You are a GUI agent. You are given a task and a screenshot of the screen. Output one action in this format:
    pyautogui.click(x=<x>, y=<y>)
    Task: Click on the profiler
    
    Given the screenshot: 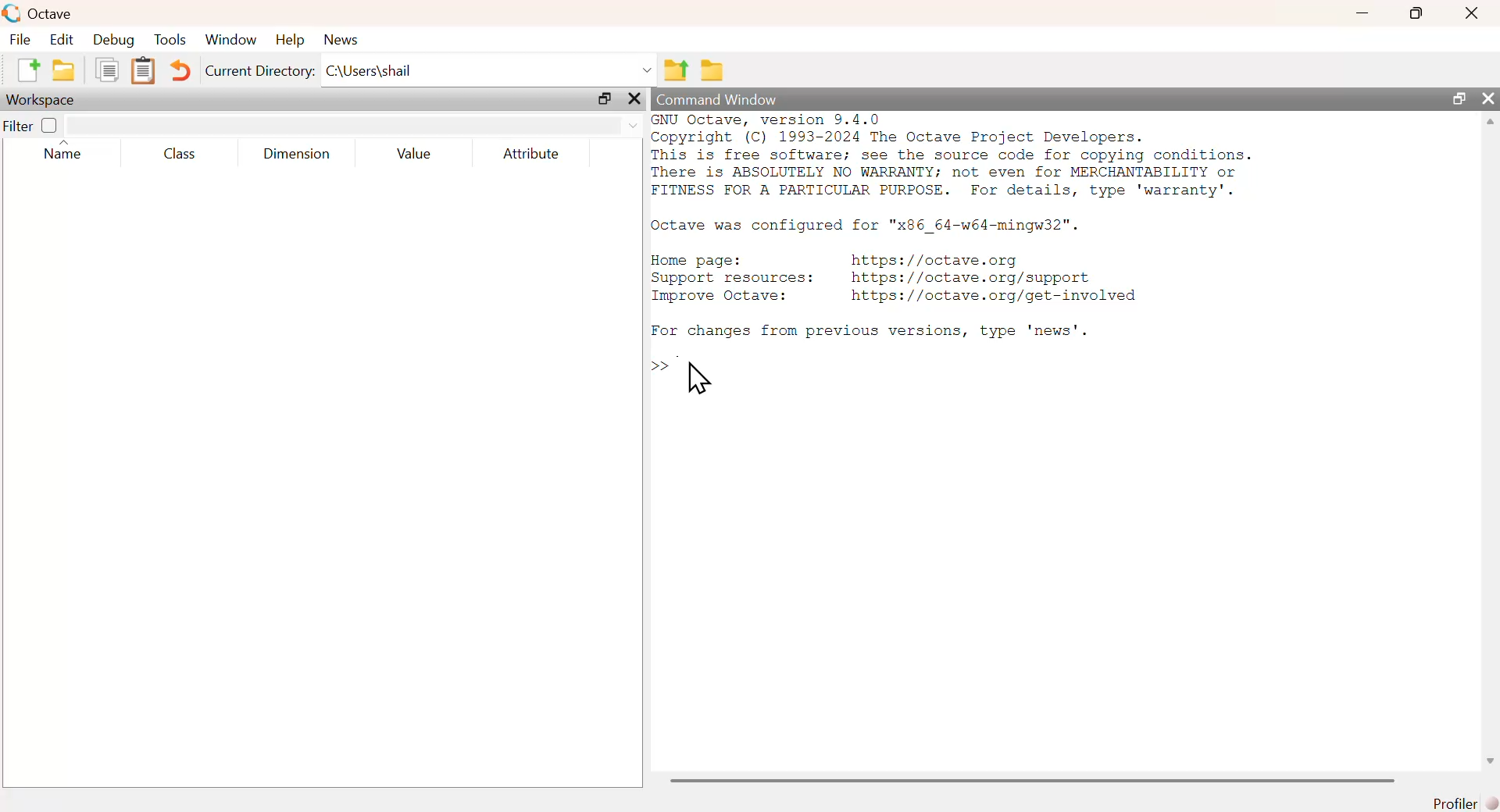 What is the action you would take?
    pyautogui.click(x=1462, y=803)
    